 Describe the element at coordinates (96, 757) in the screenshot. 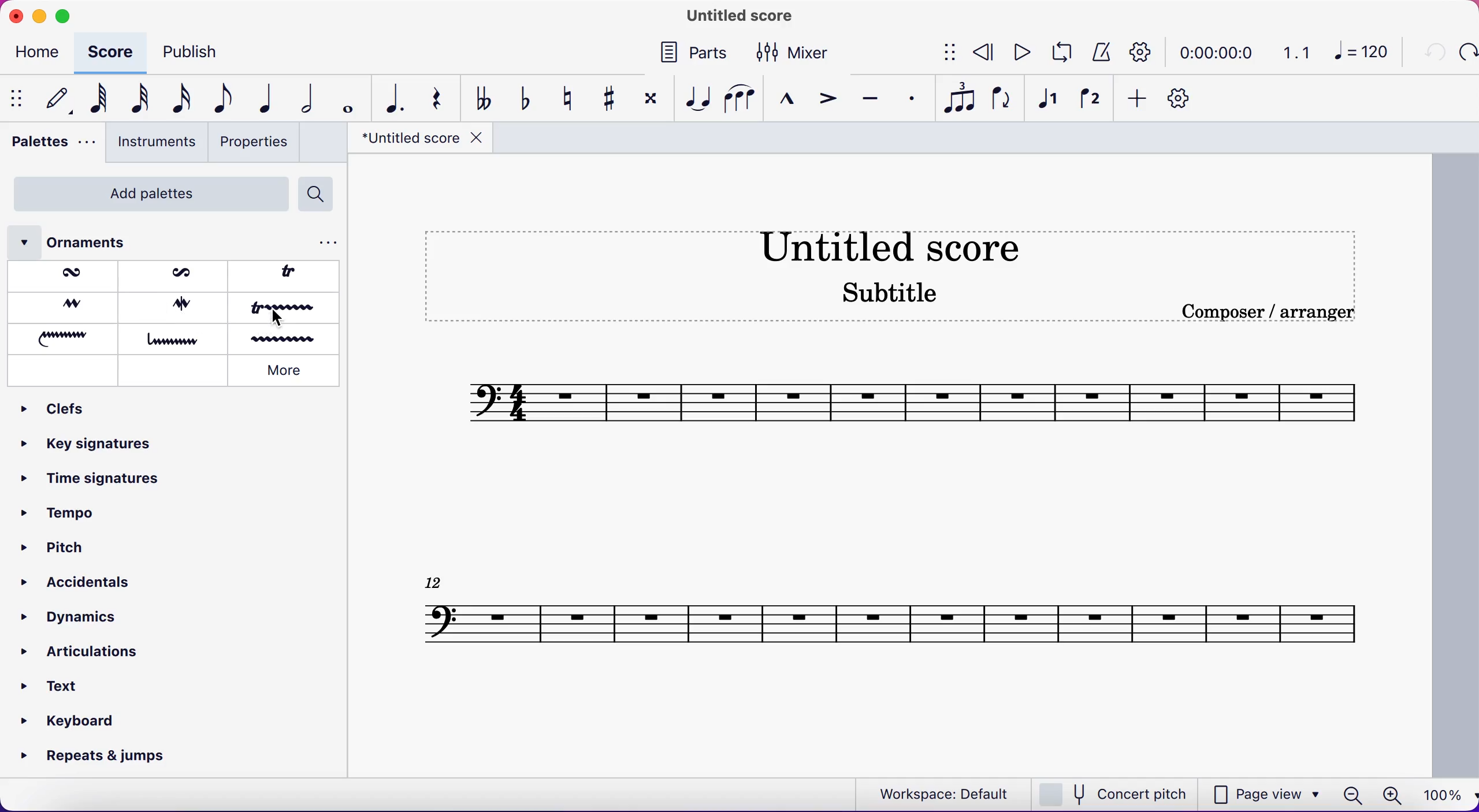

I see `repeats and jumps` at that location.